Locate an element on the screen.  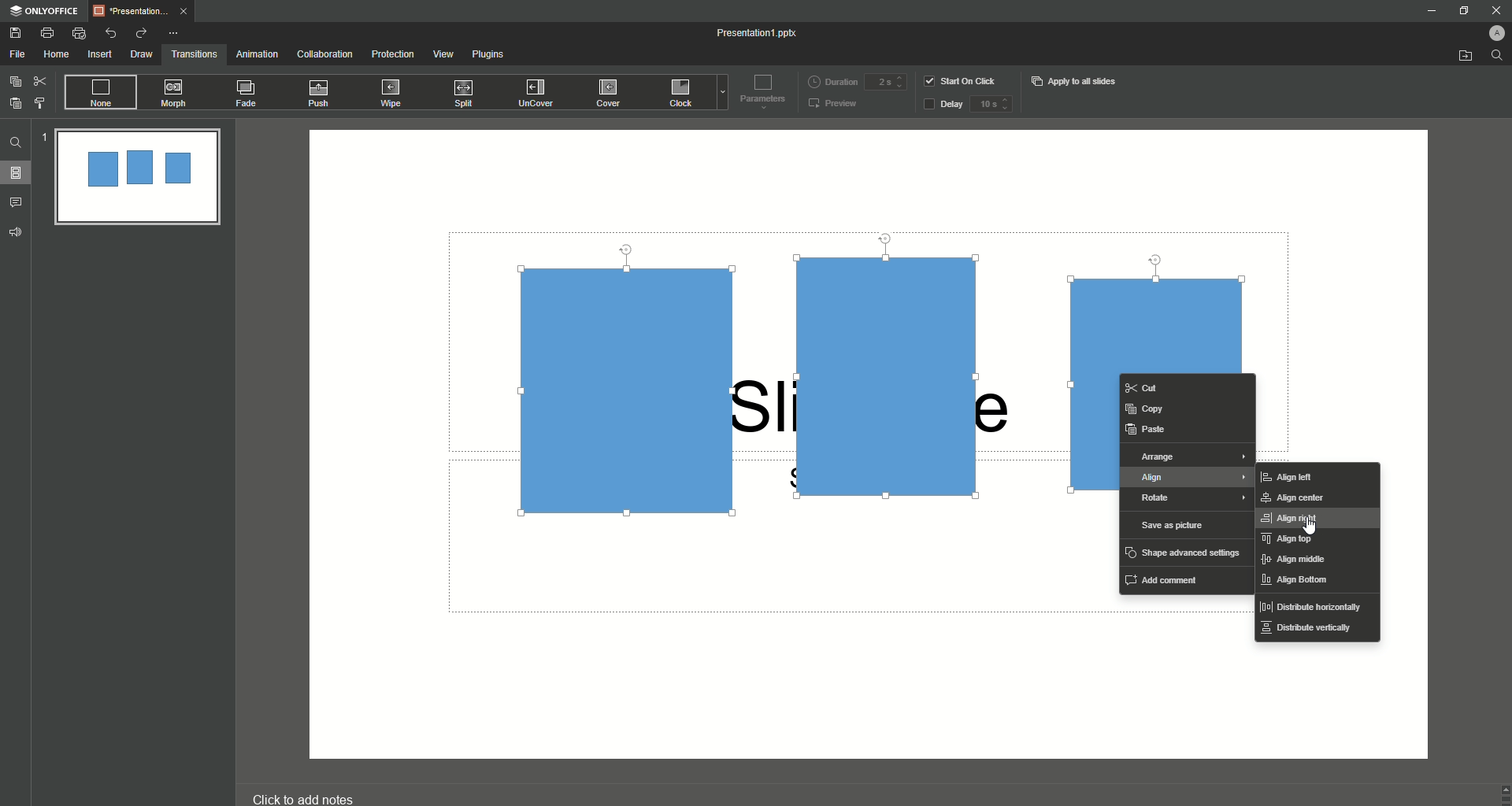
ONLYOFFICE is located at coordinates (44, 11).